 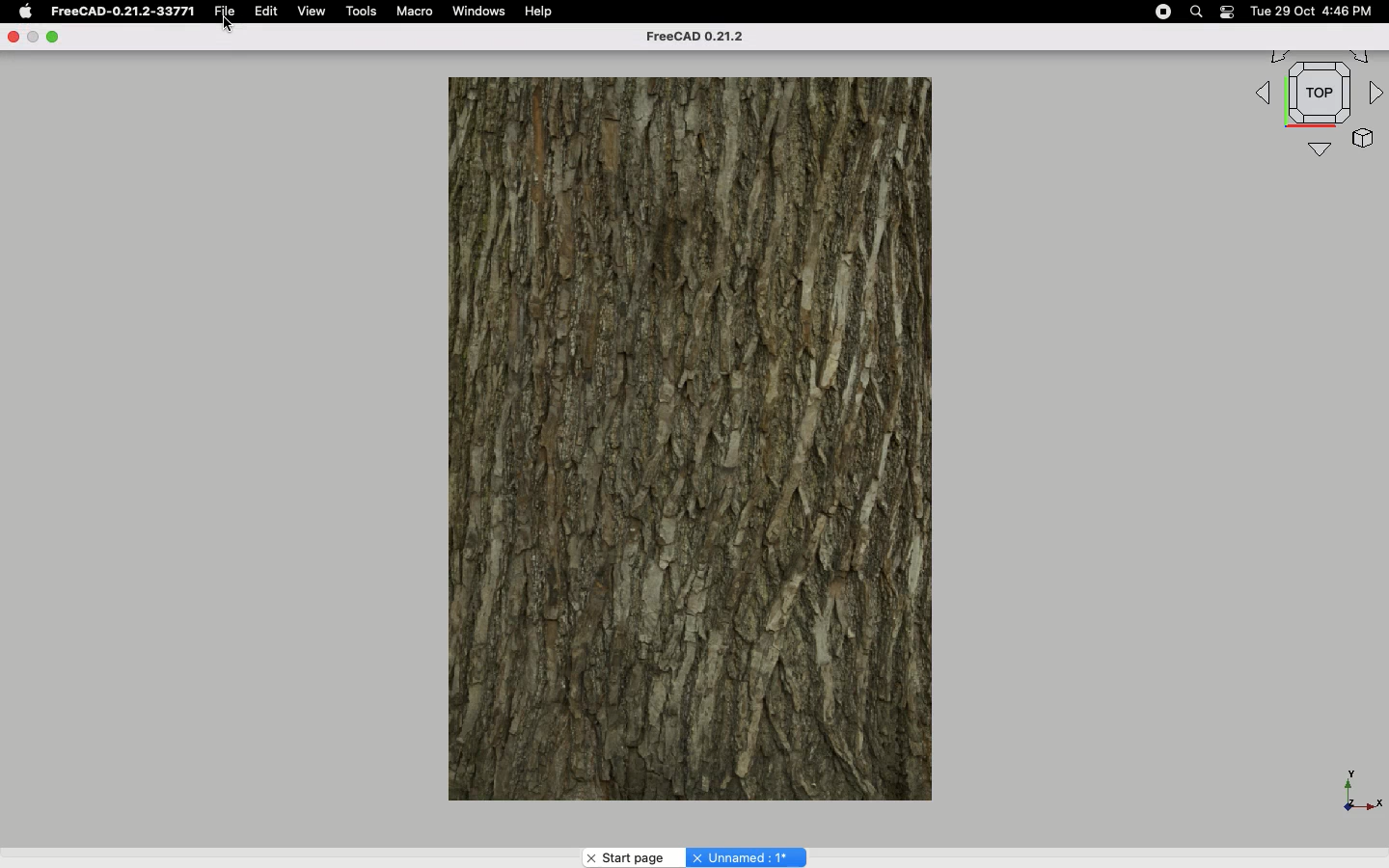 What do you see at coordinates (691, 434) in the screenshot?
I see `Object` at bounding box center [691, 434].